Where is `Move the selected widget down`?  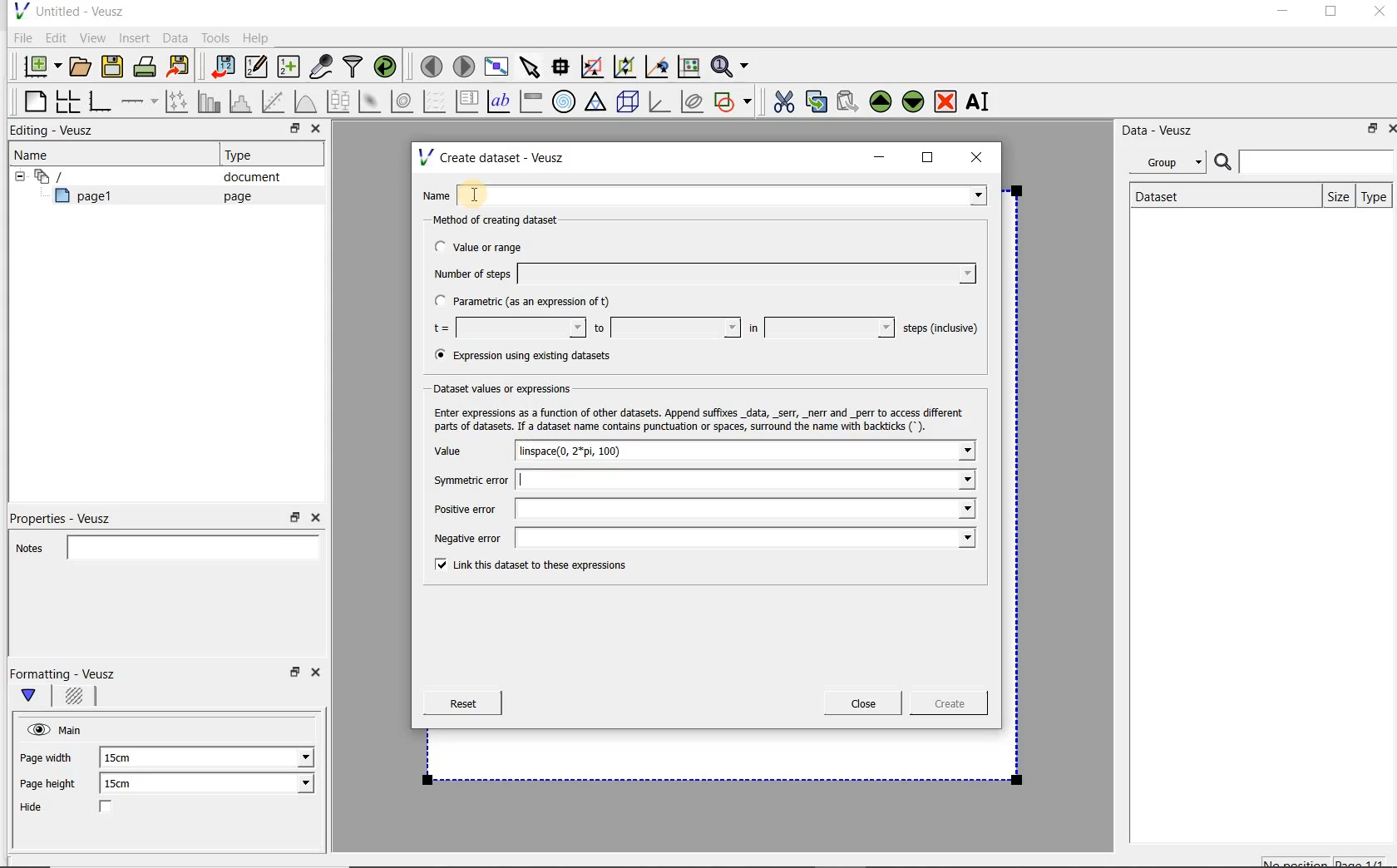 Move the selected widget down is located at coordinates (914, 101).